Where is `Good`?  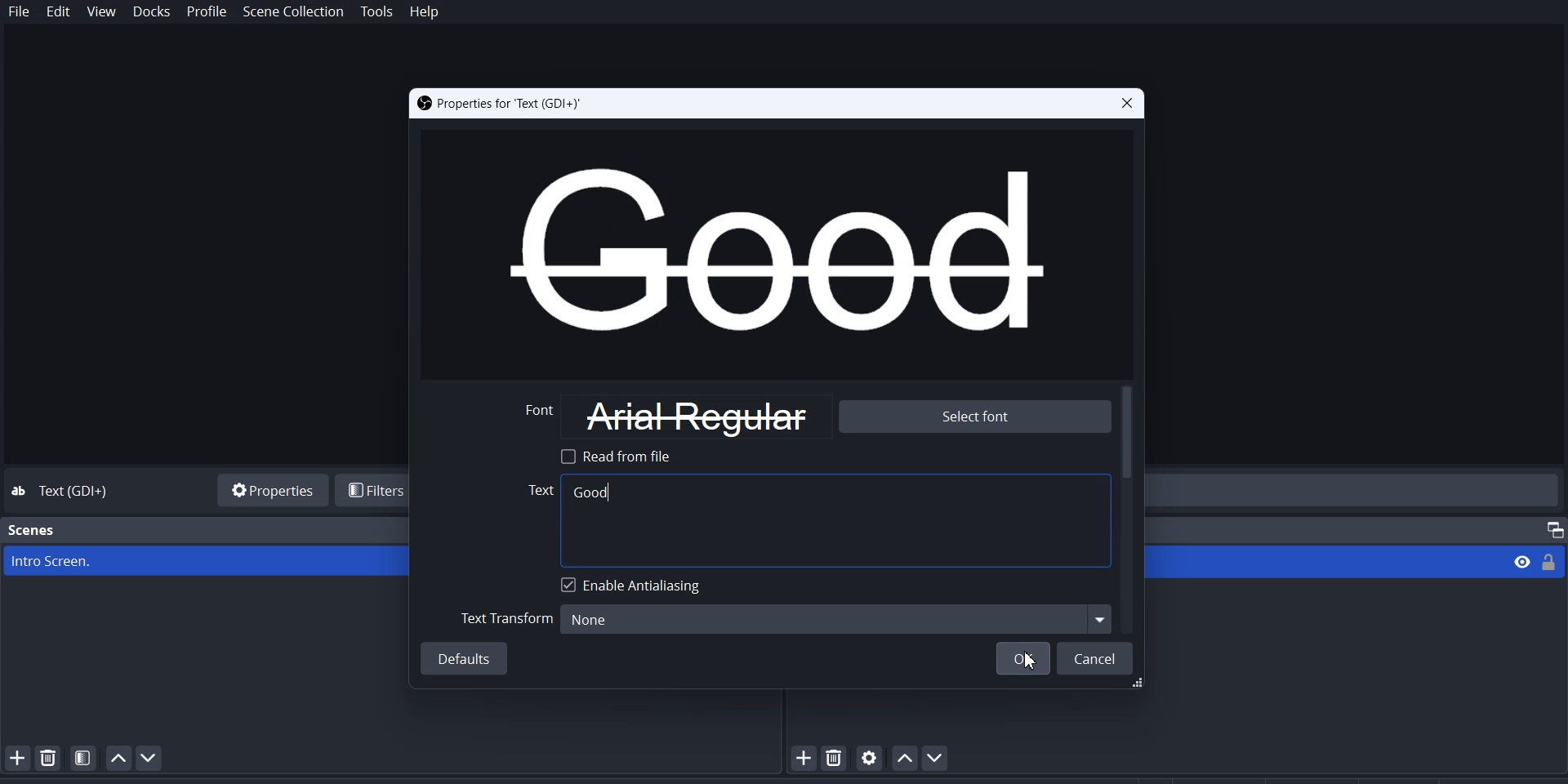 Good is located at coordinates (593, 492).